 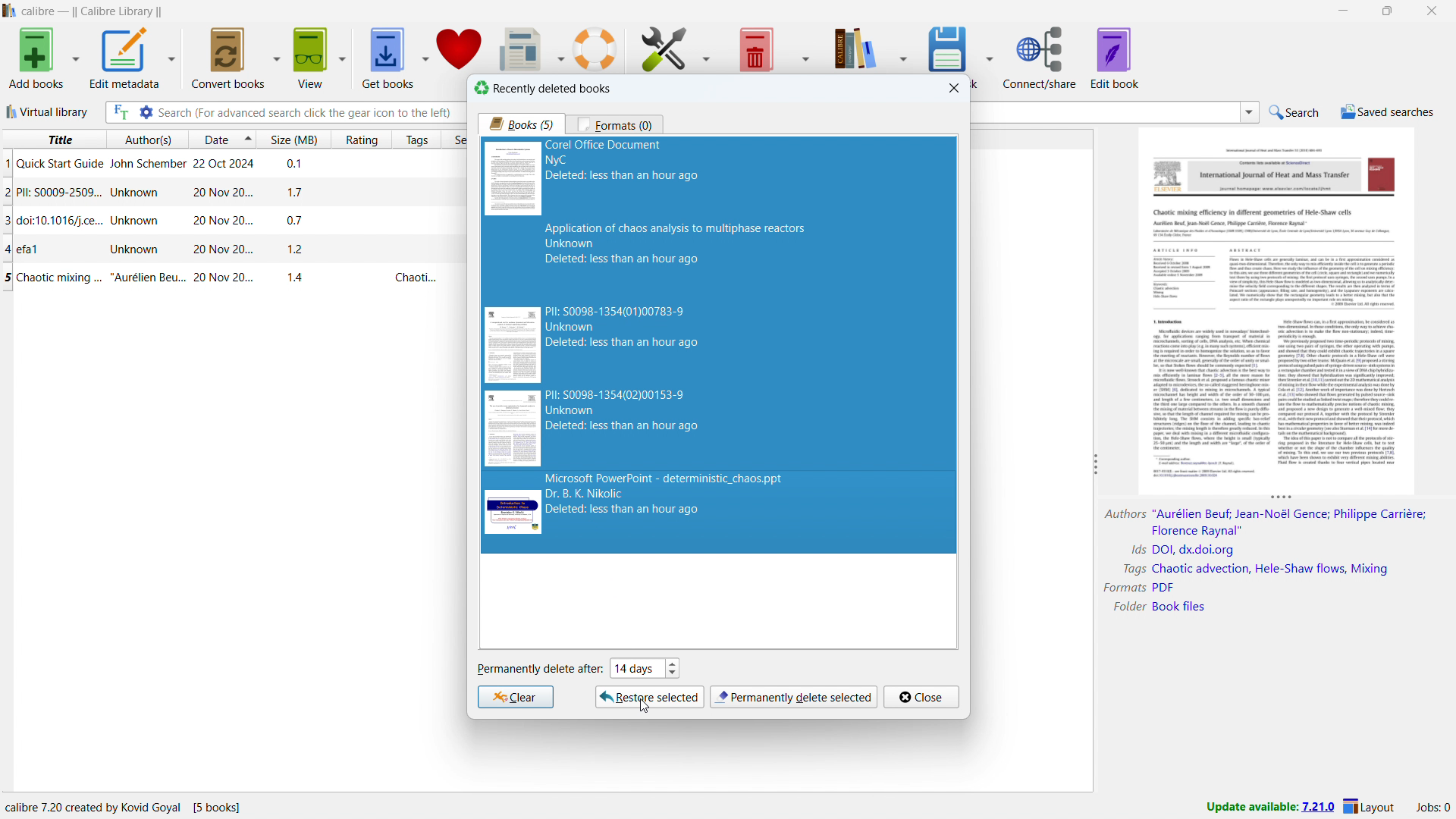 What do you see at coordinates (388, 58) in the screenshot?
I see `get books` at bounding box center [388, 58].